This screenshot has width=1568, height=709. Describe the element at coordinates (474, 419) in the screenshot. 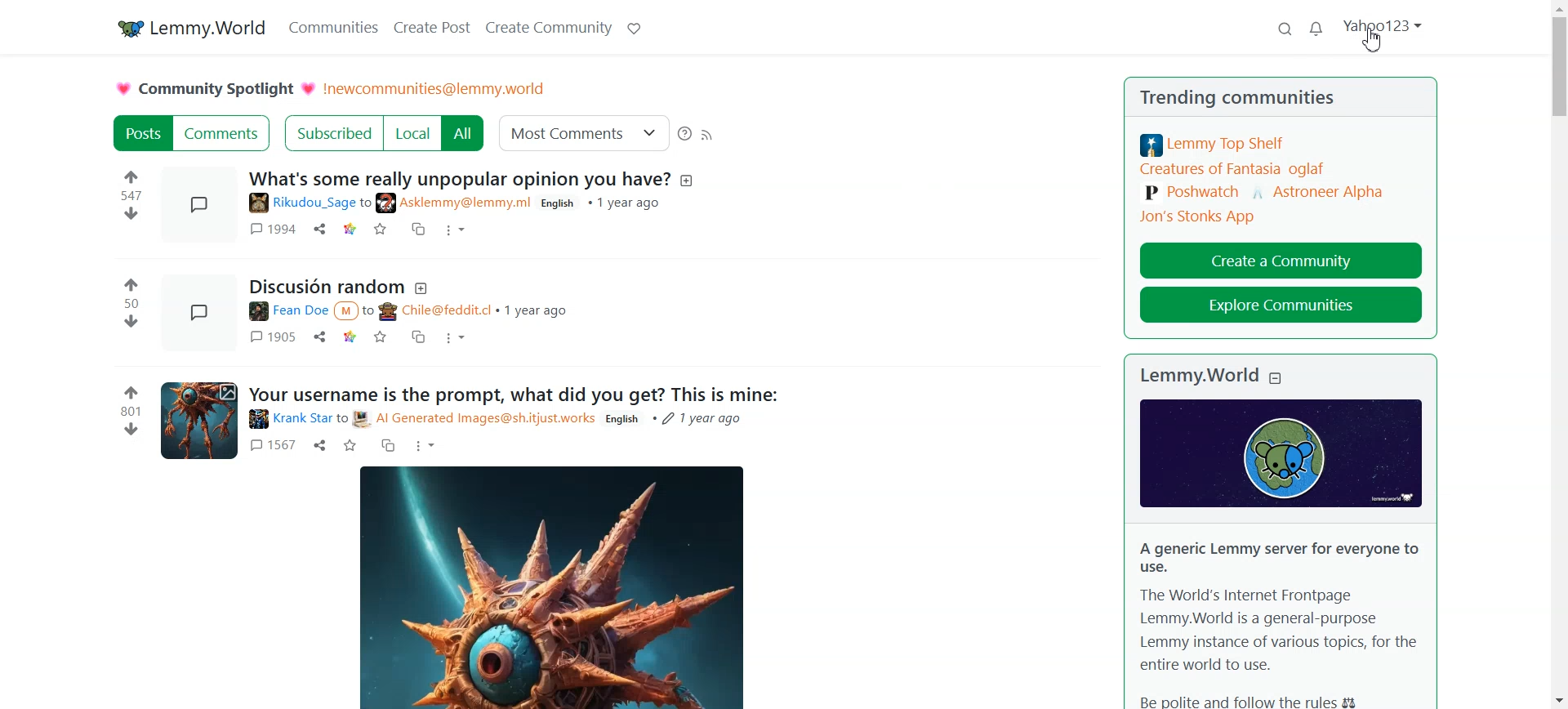

I see `AI generated images@sh.itjust.works` at that location.